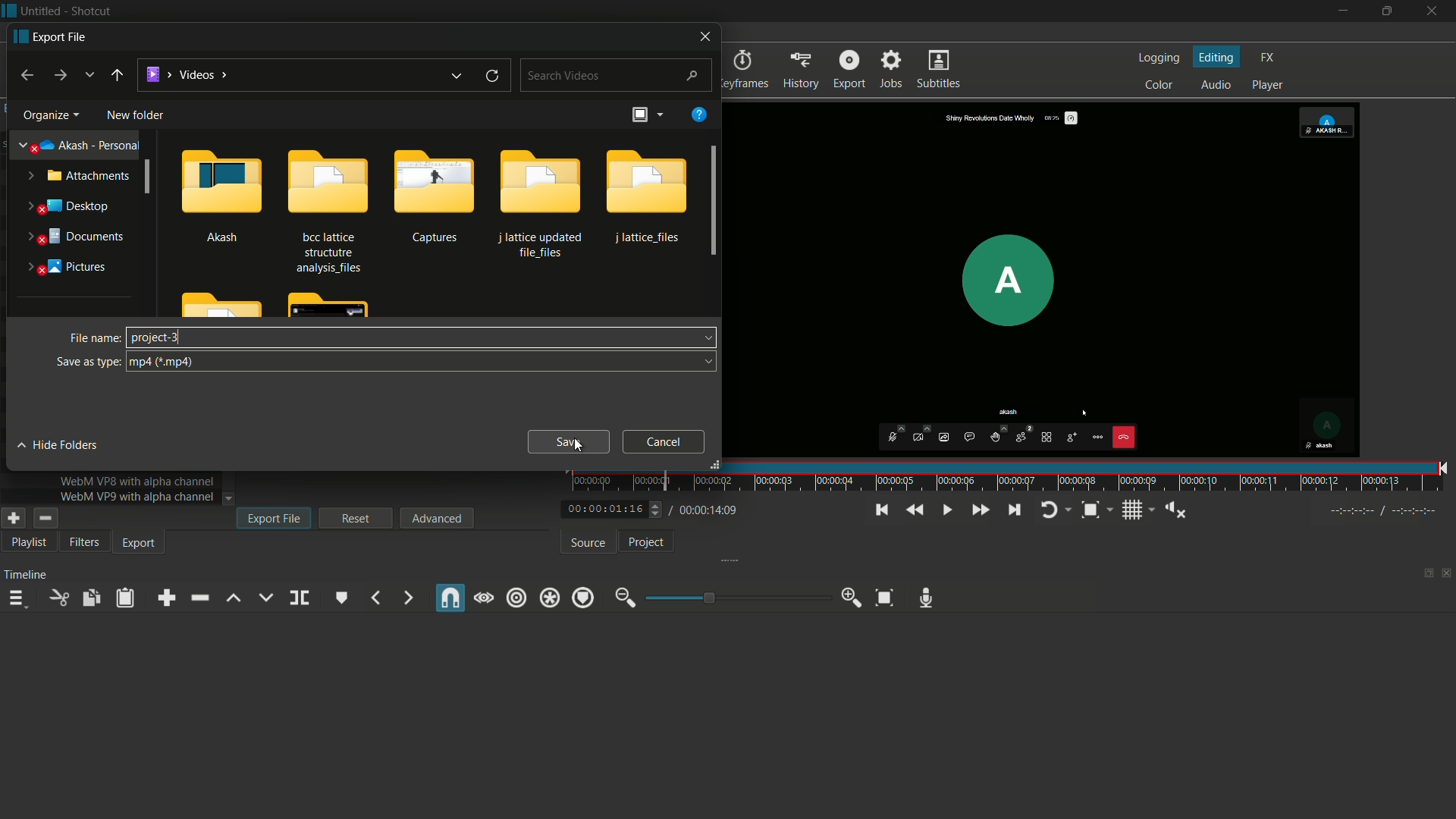 This screenshot has height=819, width=1456. Describe the element at coordinates (1433, 11) in the screenshot. I see `close app` at that location.